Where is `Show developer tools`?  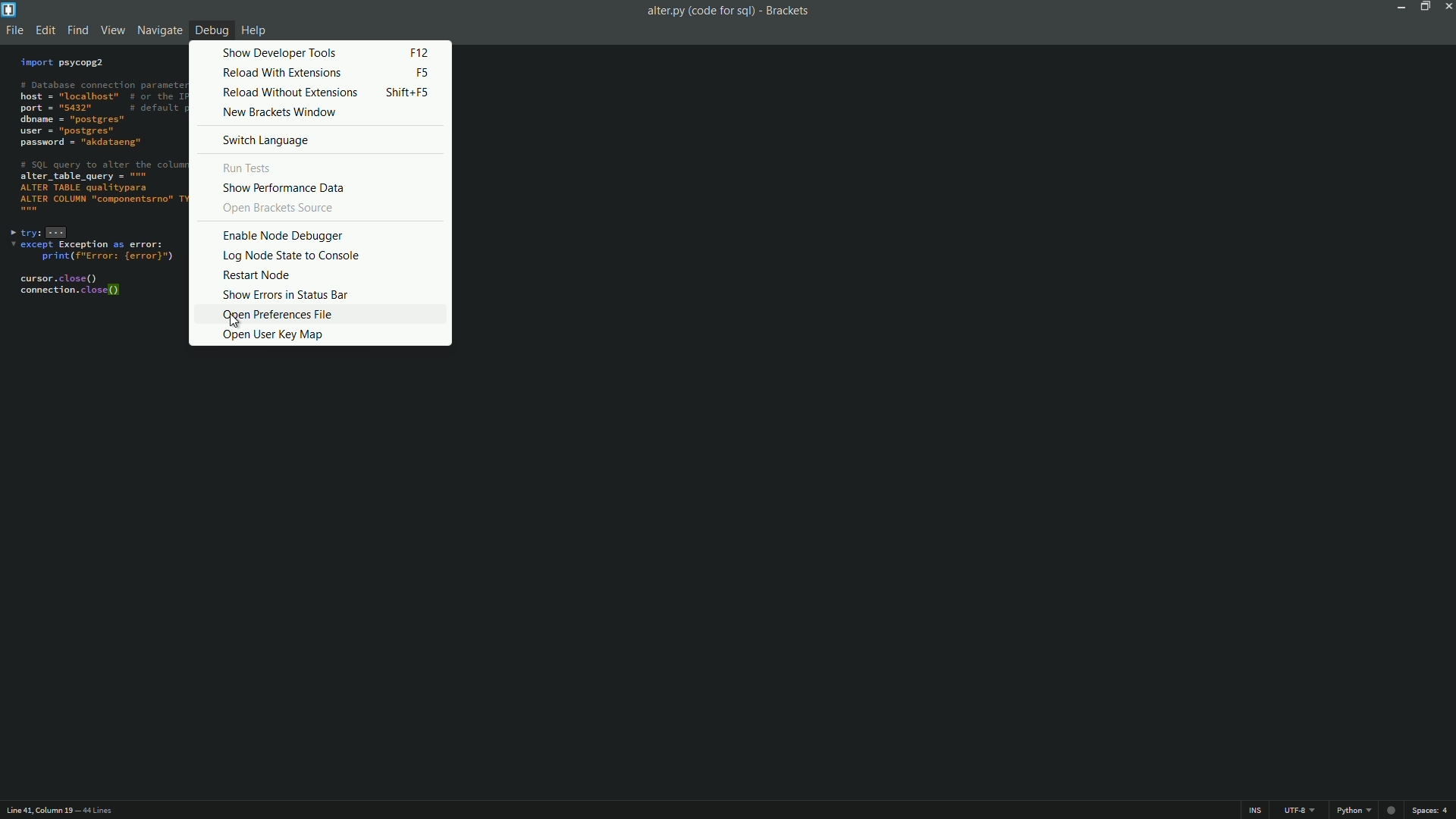 Show developer tools is located at coordinates (315, 52).